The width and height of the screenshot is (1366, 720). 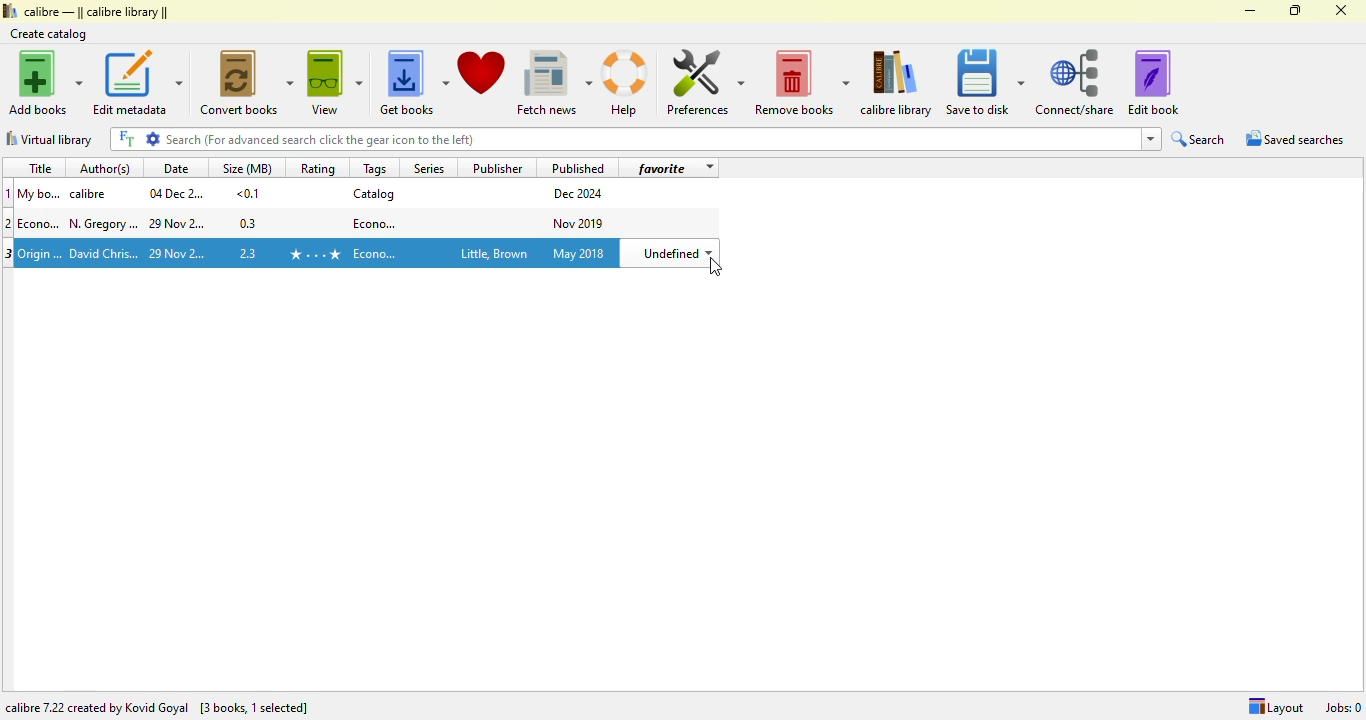 What do you see at coordinates (662, 168) in the screenshot?
I see `favorite` at bounding box center [662, 168].